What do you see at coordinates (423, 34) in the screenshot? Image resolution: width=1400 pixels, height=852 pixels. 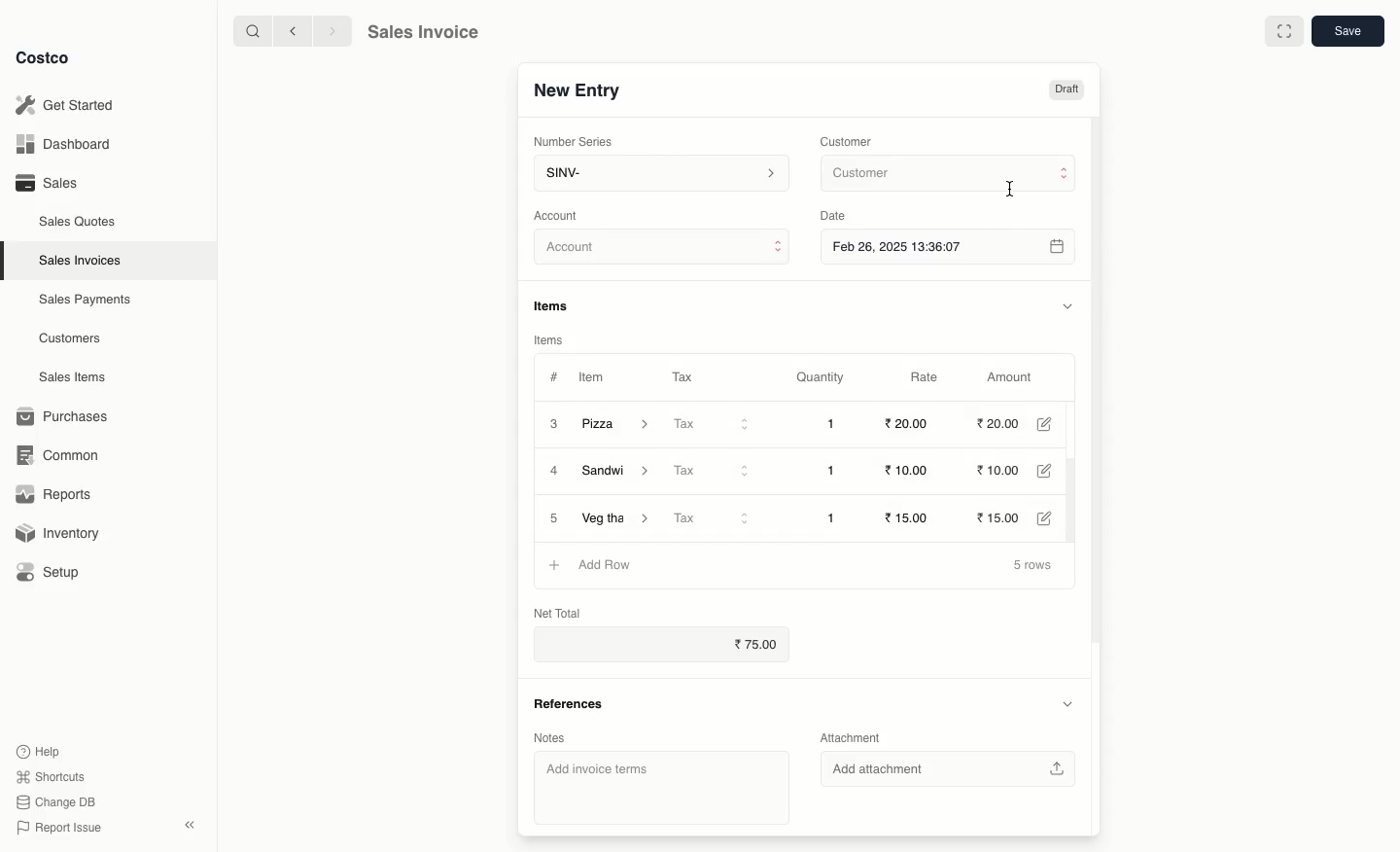 I see `Sales Invoice` at bounding box center [423, 34].